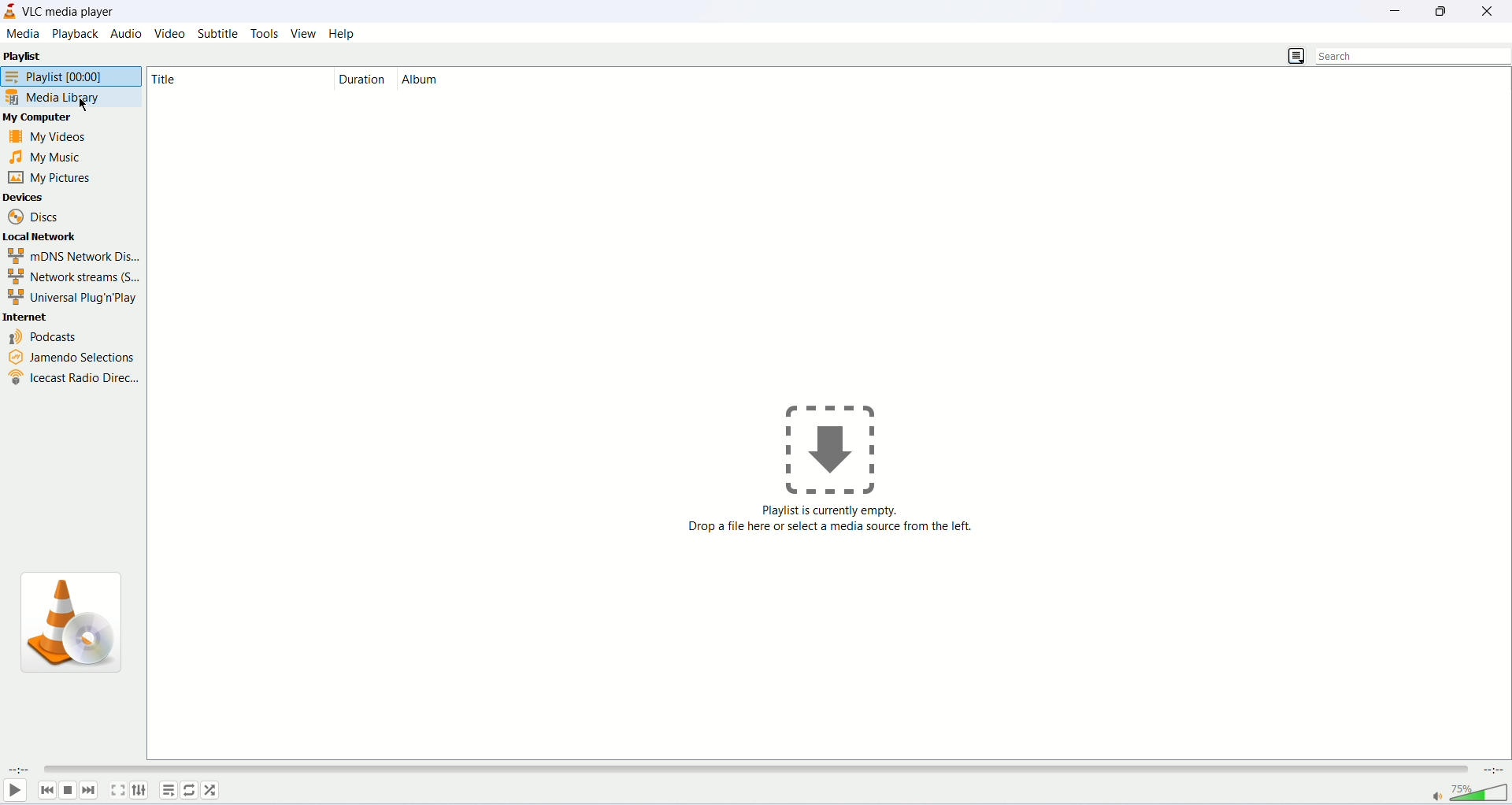  What do you see at coordinates (1410, 56) in the screenshot?
I see `search` at bounding box center [1410, 56].